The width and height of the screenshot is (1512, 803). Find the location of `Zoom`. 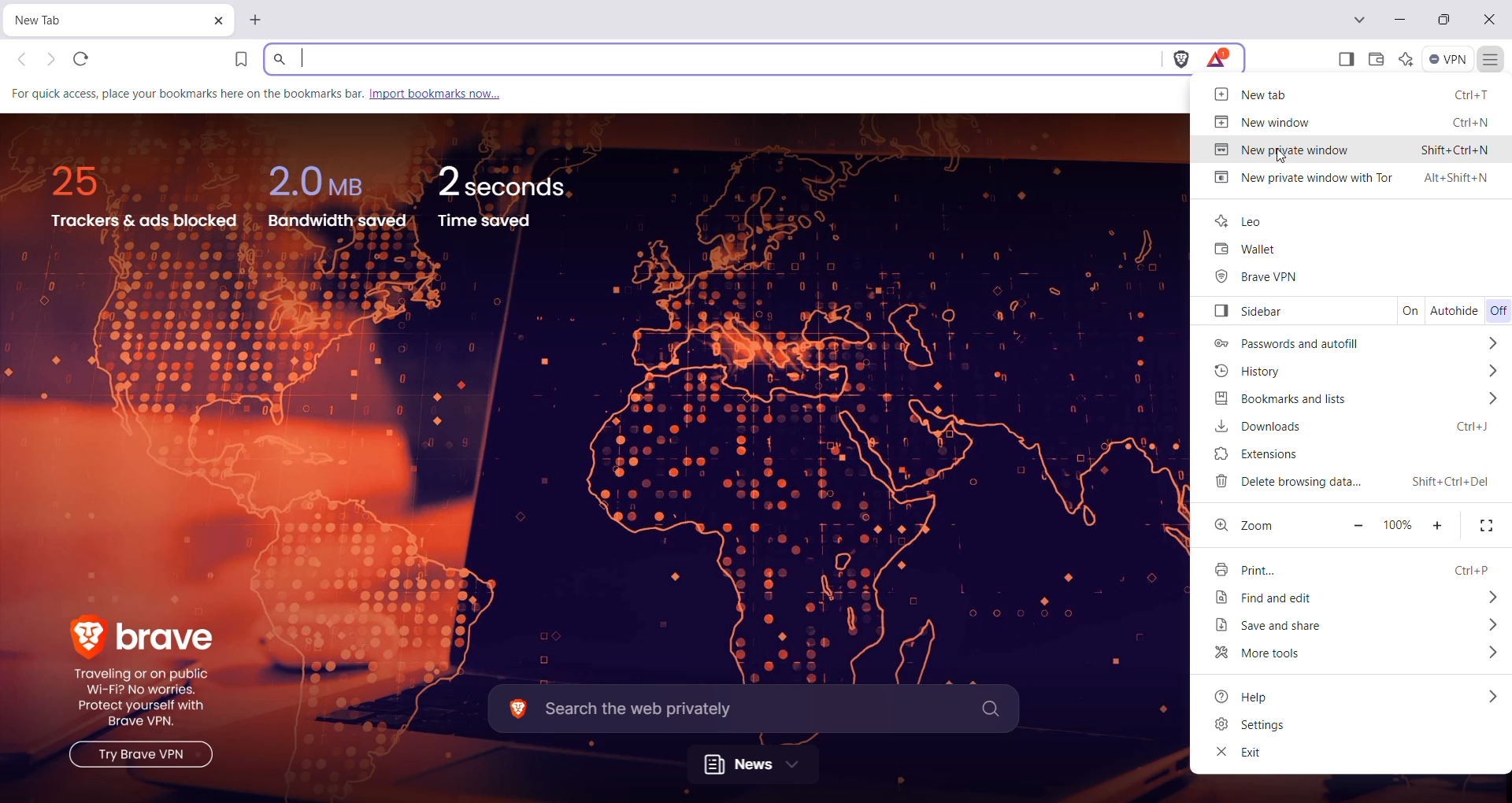

Zoom is located at coordinates (1261, 524).